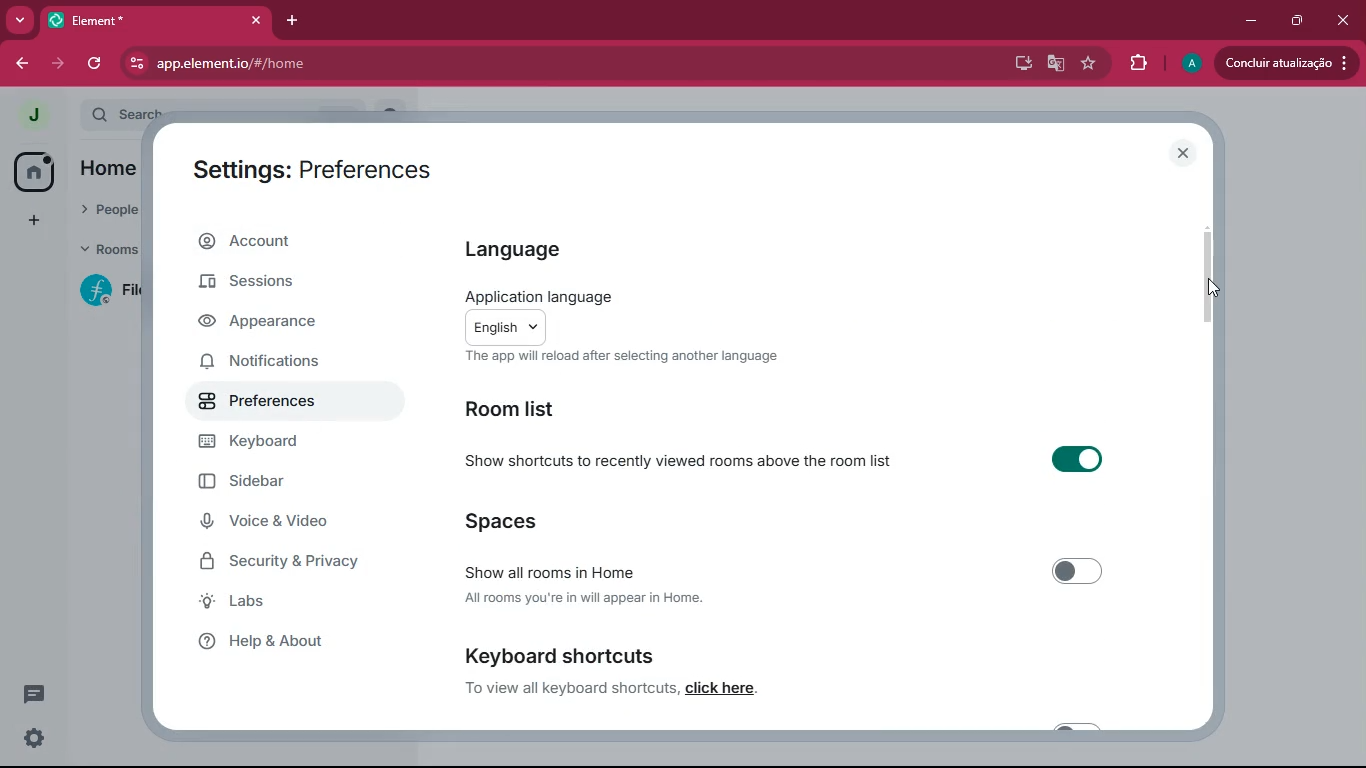  I want to click on concluir atualizacao, so click(1287, 62).